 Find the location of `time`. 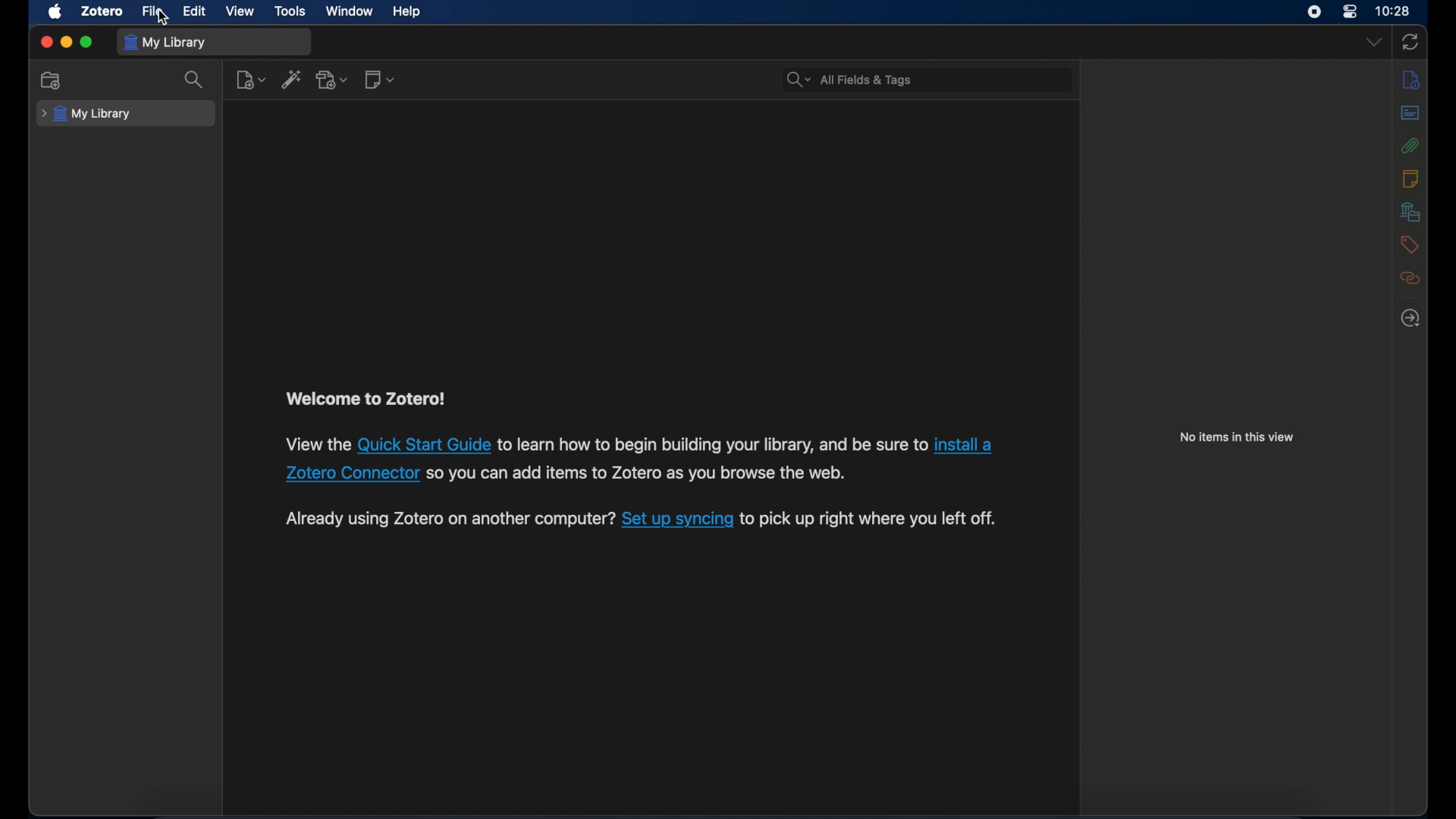

time is located at coordinates (1393, 10).